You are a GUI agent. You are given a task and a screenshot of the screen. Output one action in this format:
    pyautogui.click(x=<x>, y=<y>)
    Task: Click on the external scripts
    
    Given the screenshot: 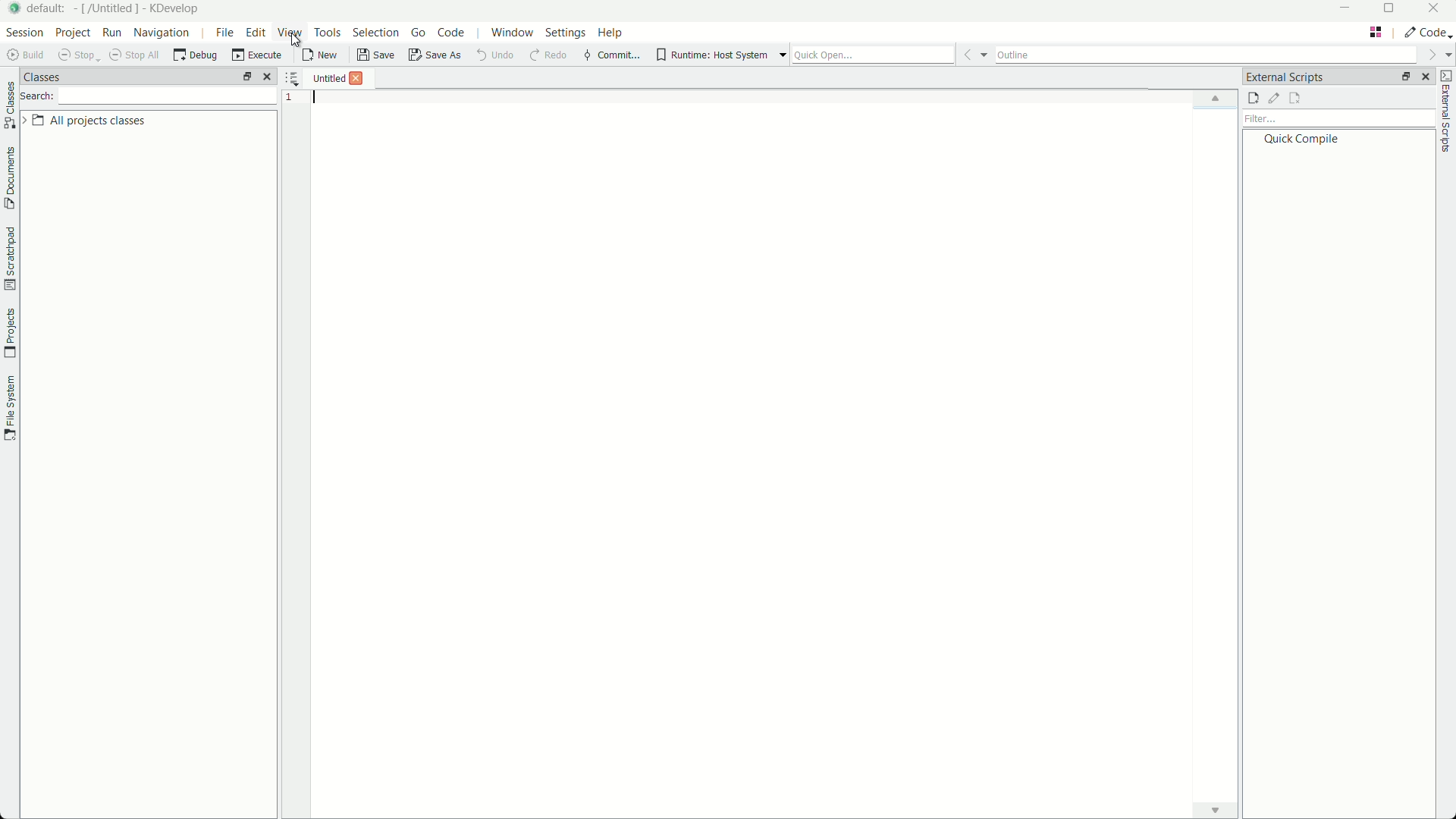 What is the action you would take?
    pyautogui.click(x=1285, y=78)
    